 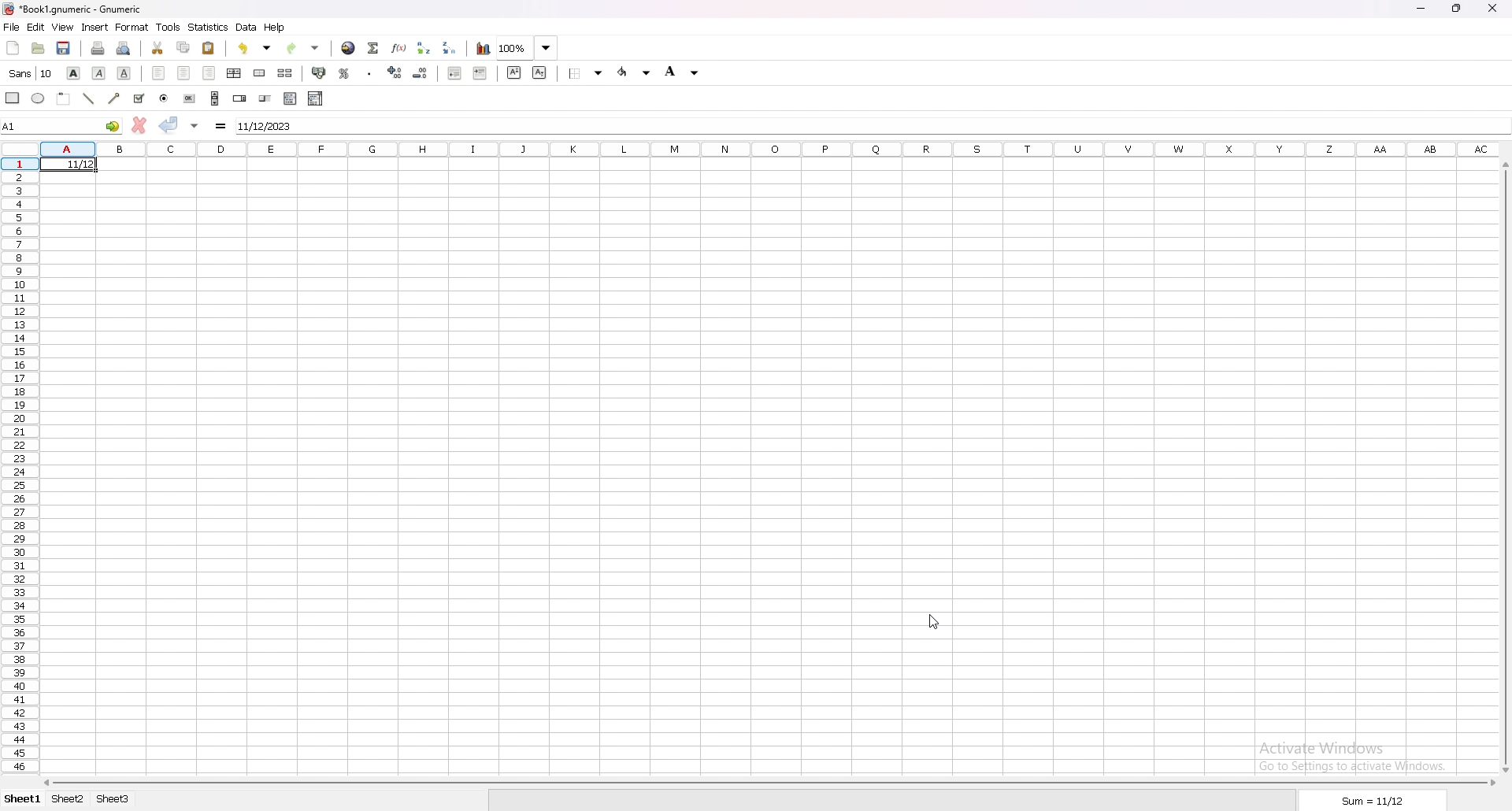 I want to click on accept changes in all cells, so click(x=195, y=125).